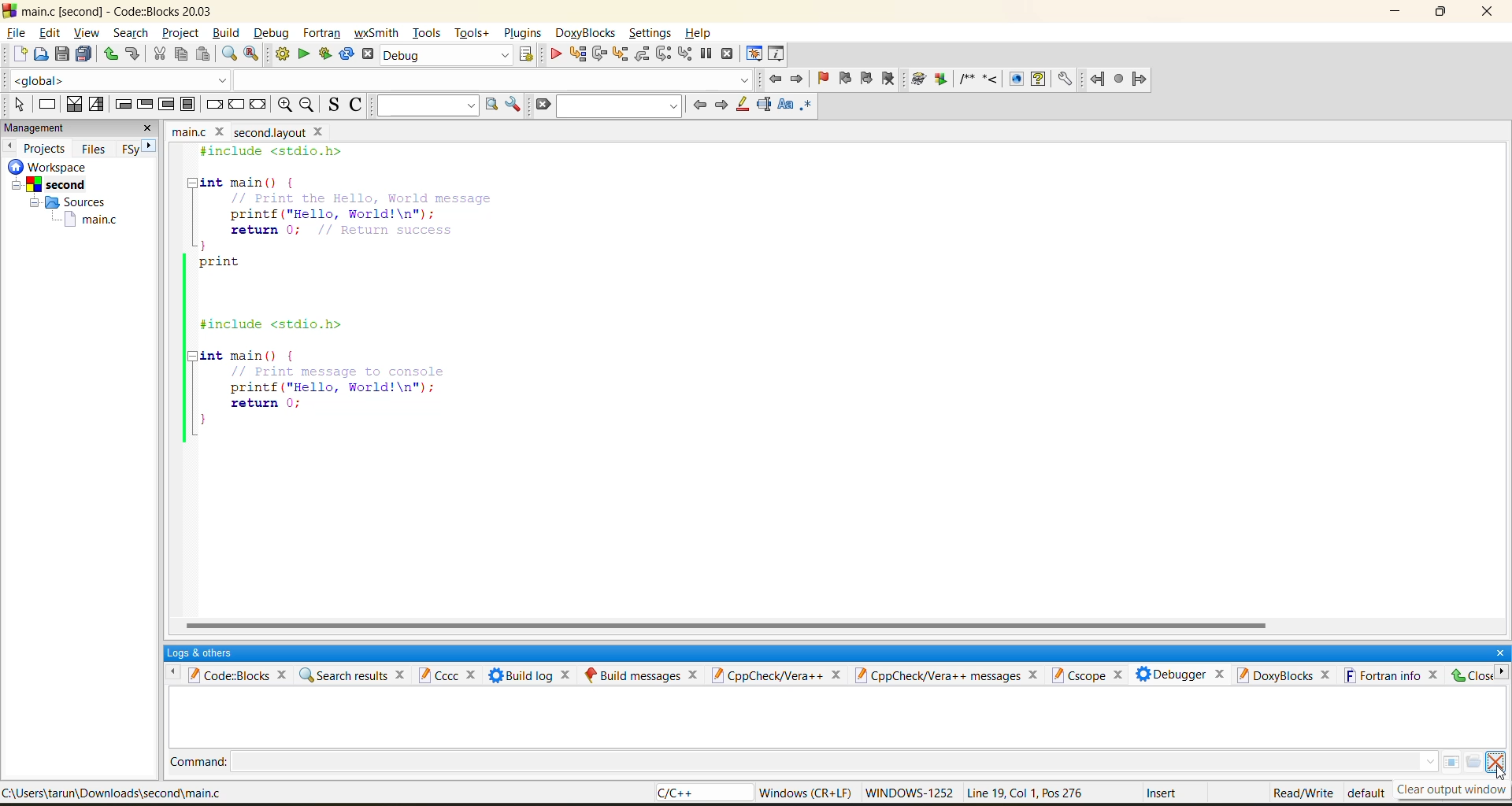 The width and height of the screenshot is (1512, 806). I want to click on Cursor, so click(1499, 776).